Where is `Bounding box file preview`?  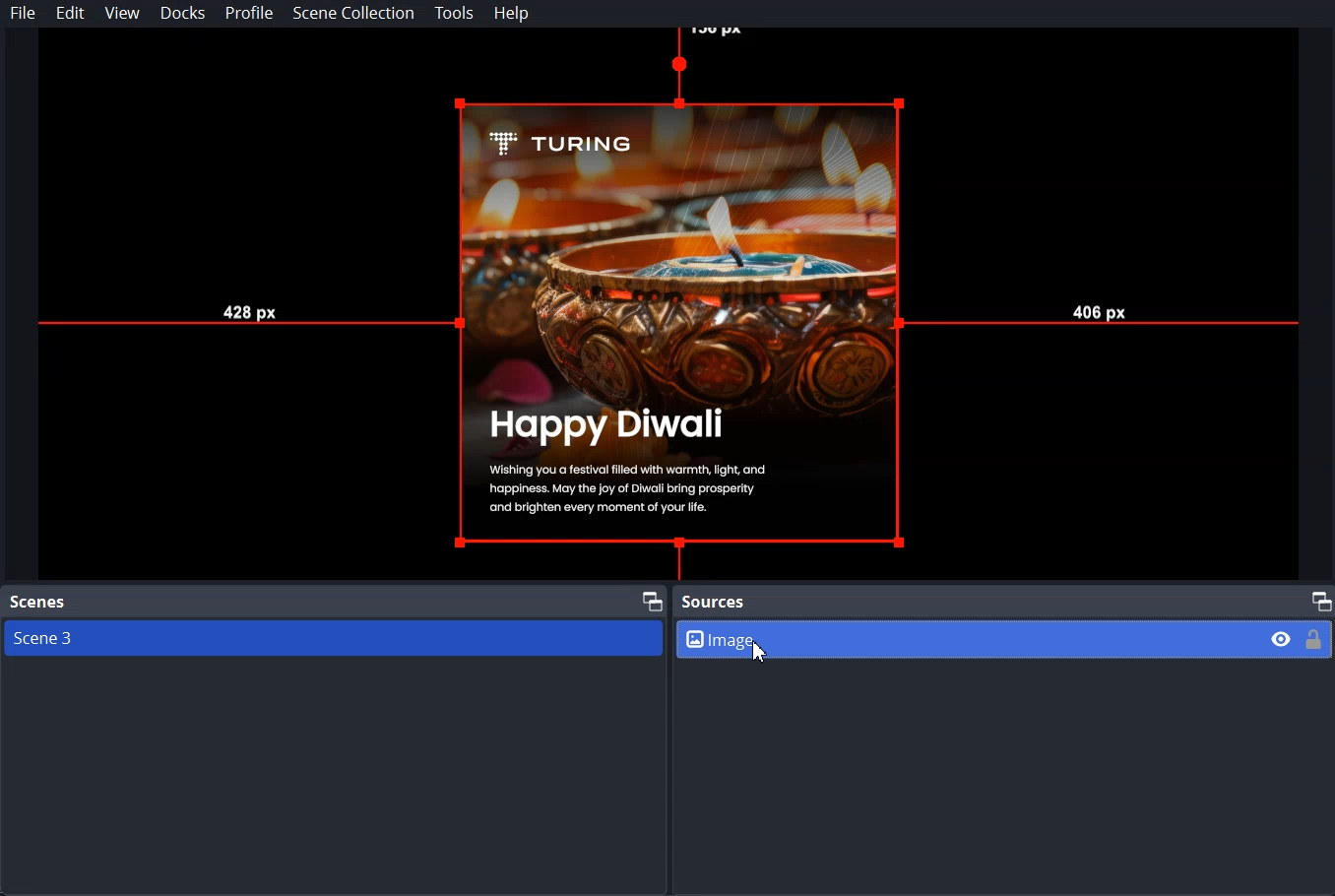
Bounding box file preview is located at coordinates (666, 304).